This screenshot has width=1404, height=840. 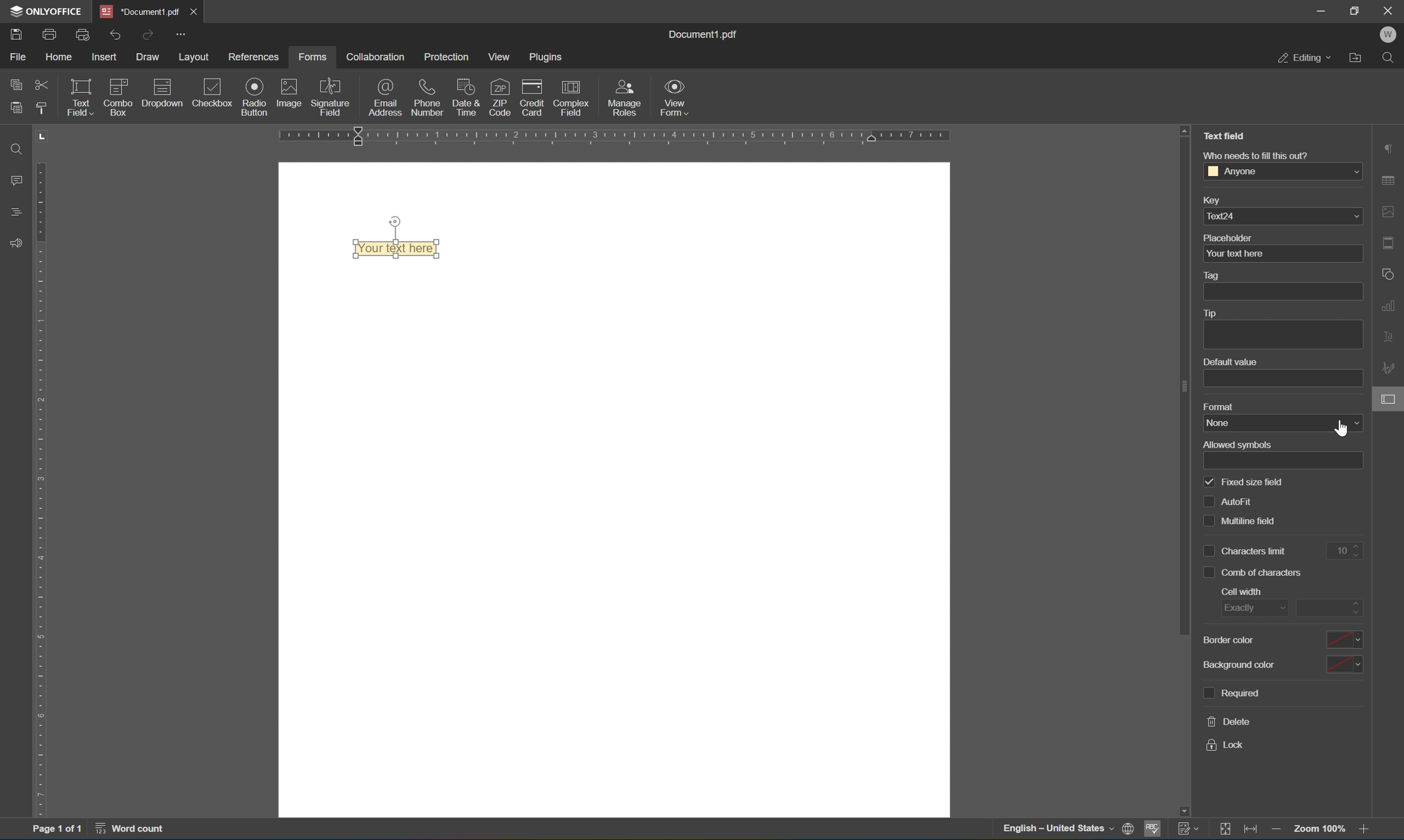 I want to click on text field, so click(x=1228, y=135).